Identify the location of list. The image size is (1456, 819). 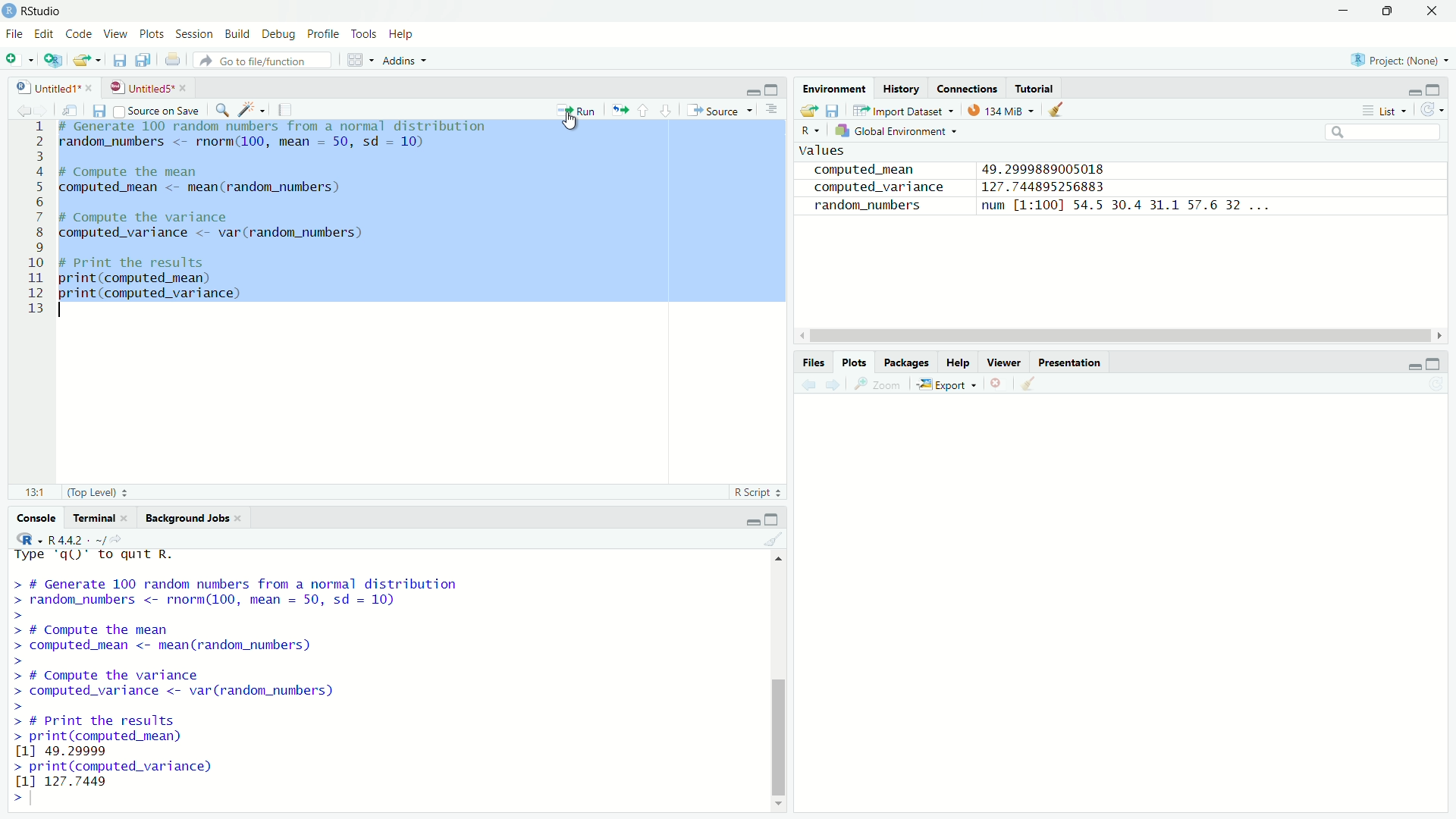
(1385, 111).